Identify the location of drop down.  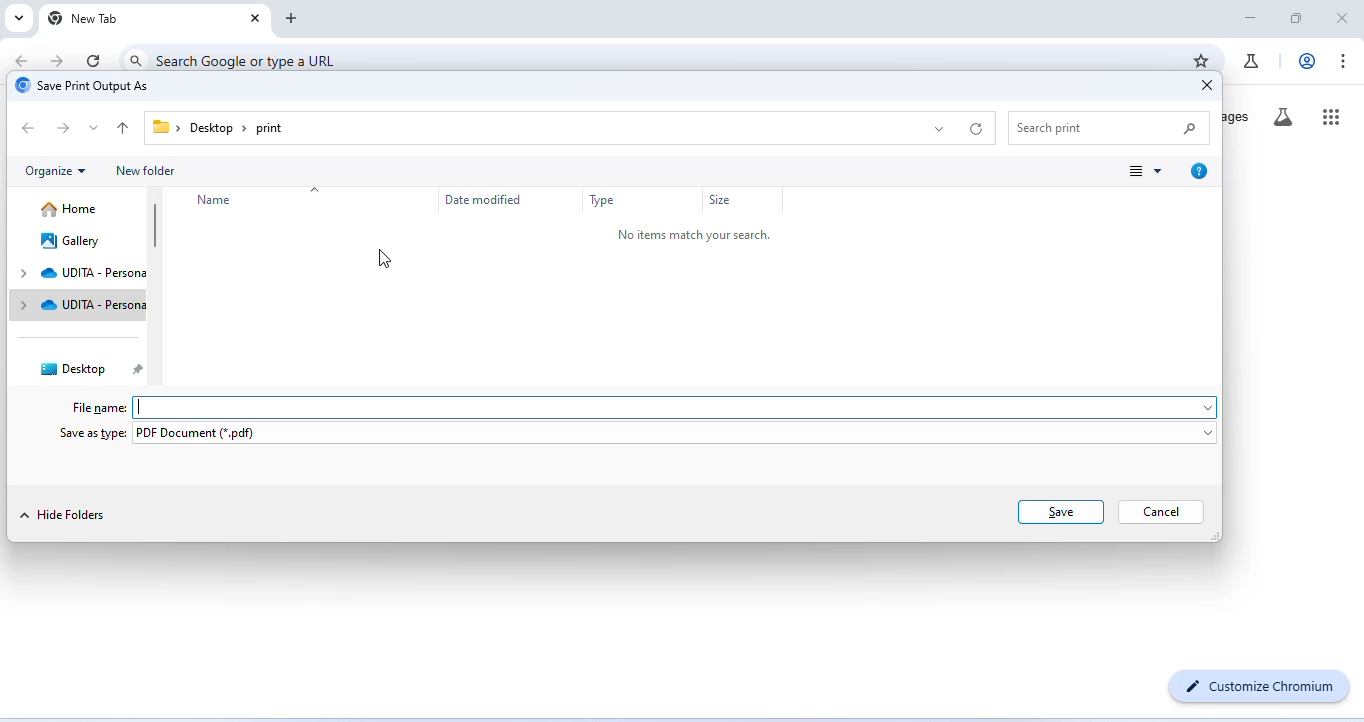
(95, 127).